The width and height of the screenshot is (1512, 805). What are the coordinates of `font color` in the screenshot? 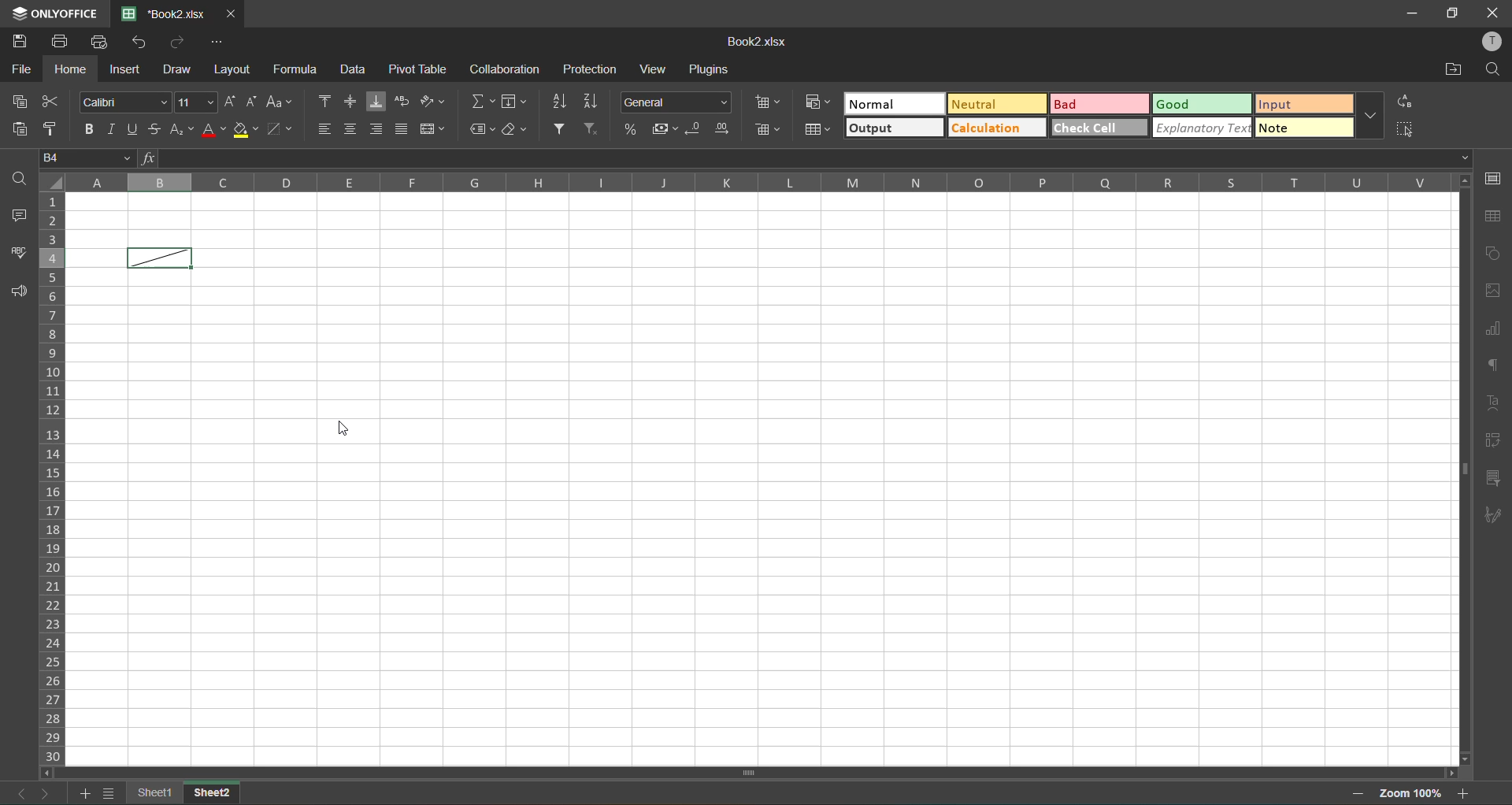 It's located at (214, 132).